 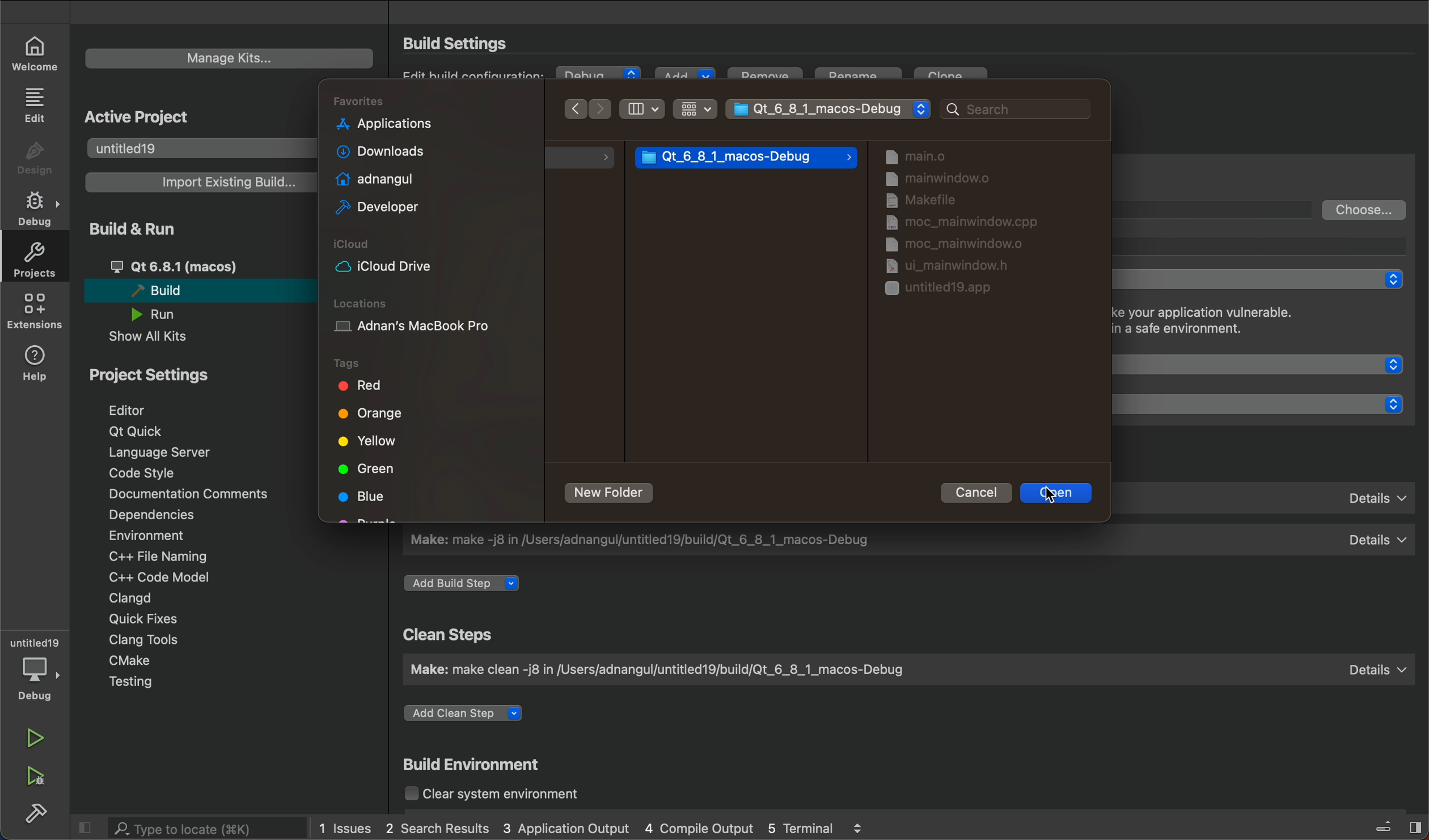 I want to click on debug files, so click(x=978, y=156).